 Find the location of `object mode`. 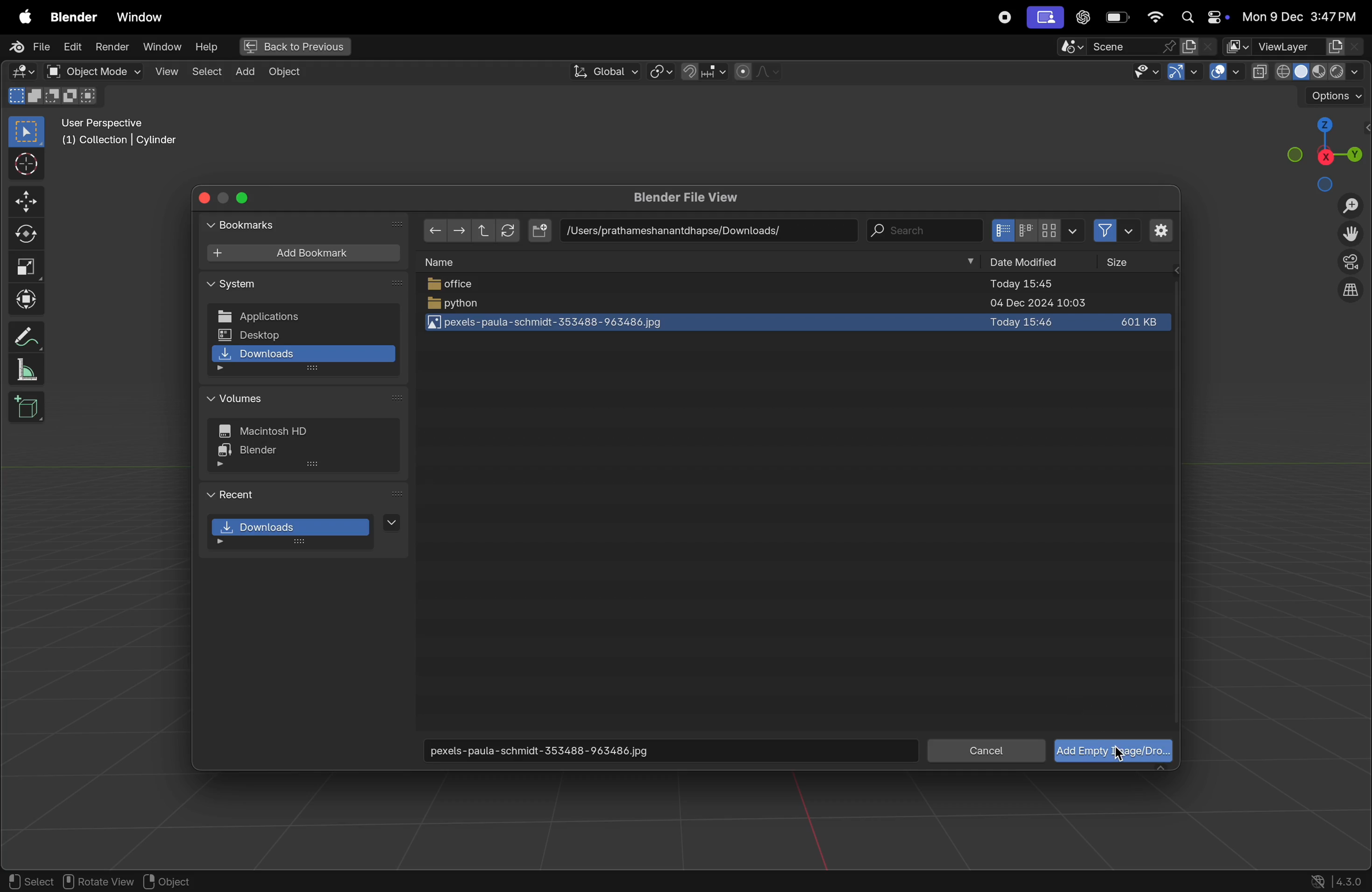

object mode is located at coordinates (91, 71).